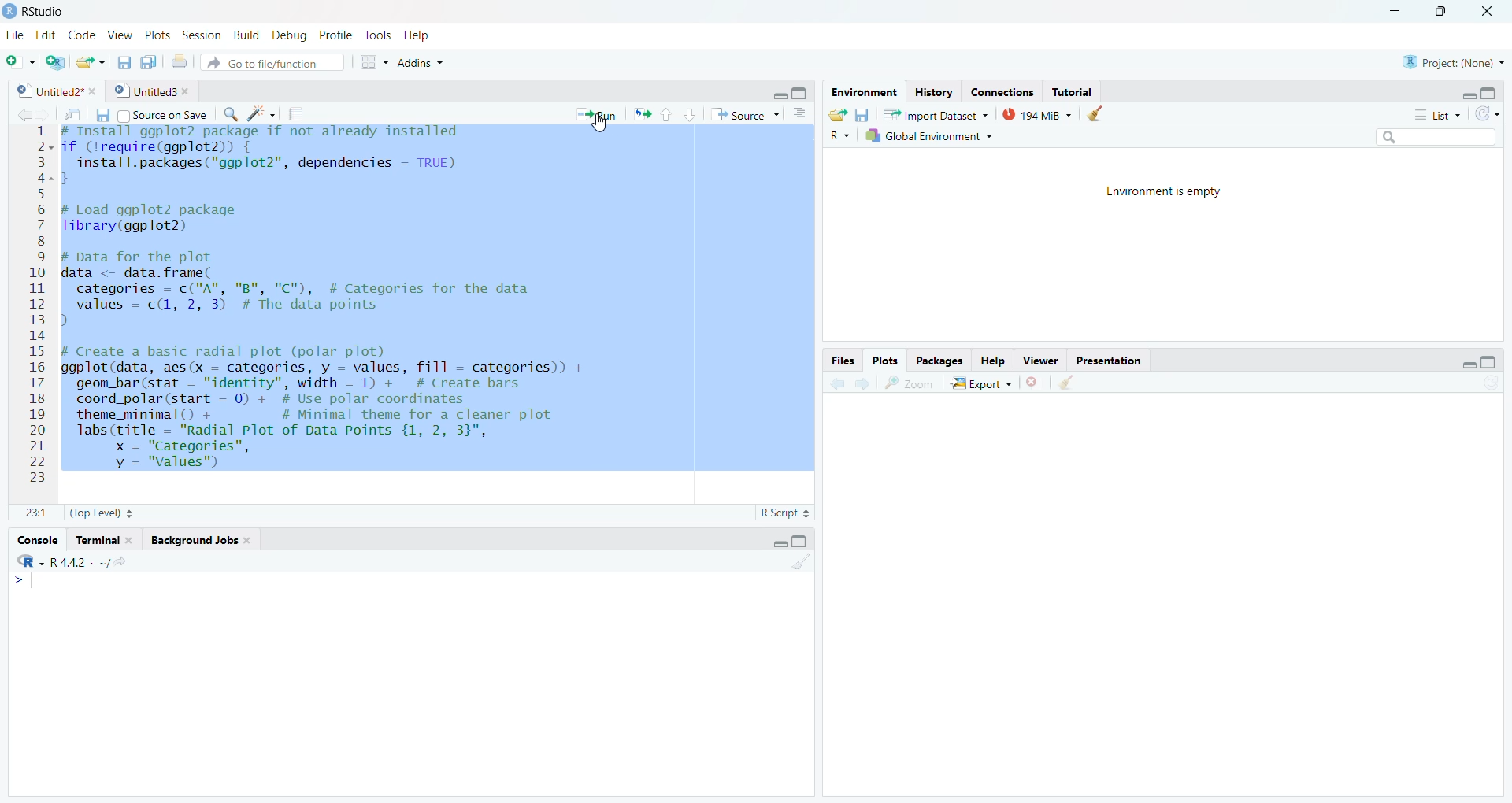 The image size is (1512, 803). Describe the element at coordinates (263, 113) in the screenshot. I see `code tools` at that location.